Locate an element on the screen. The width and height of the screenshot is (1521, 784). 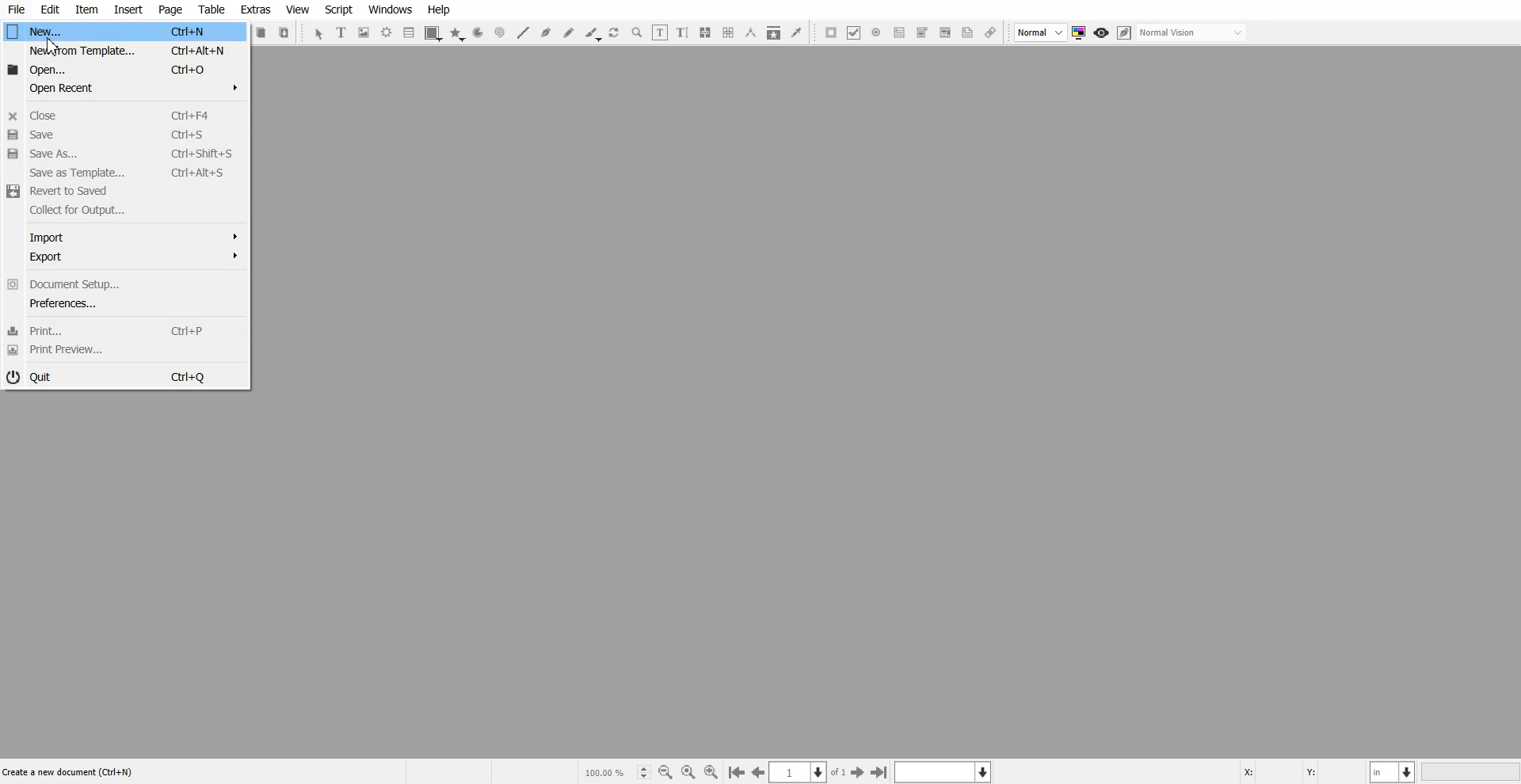
Line is located at coordinates (522, 32).